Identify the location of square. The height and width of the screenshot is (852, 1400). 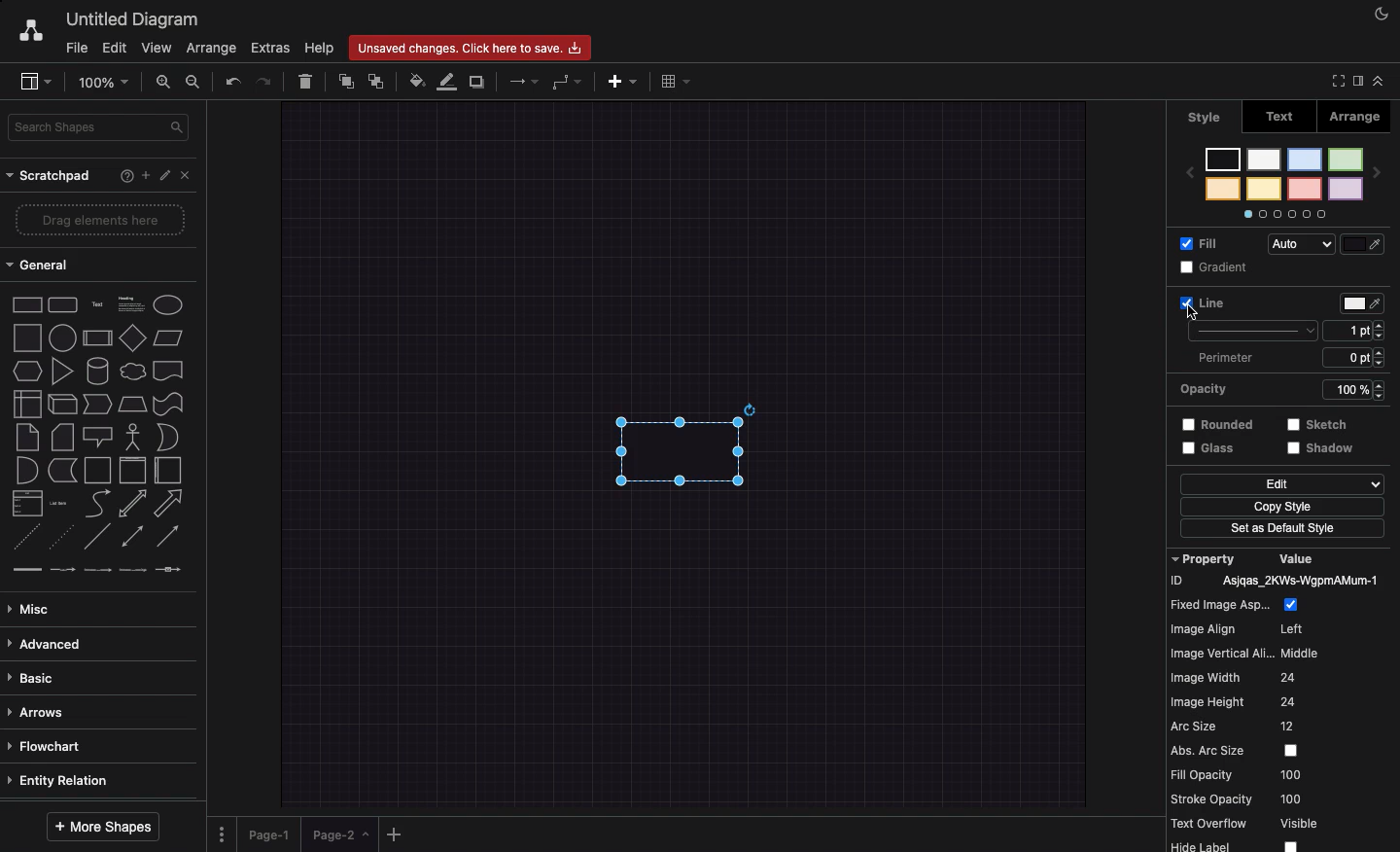
(25, 336).